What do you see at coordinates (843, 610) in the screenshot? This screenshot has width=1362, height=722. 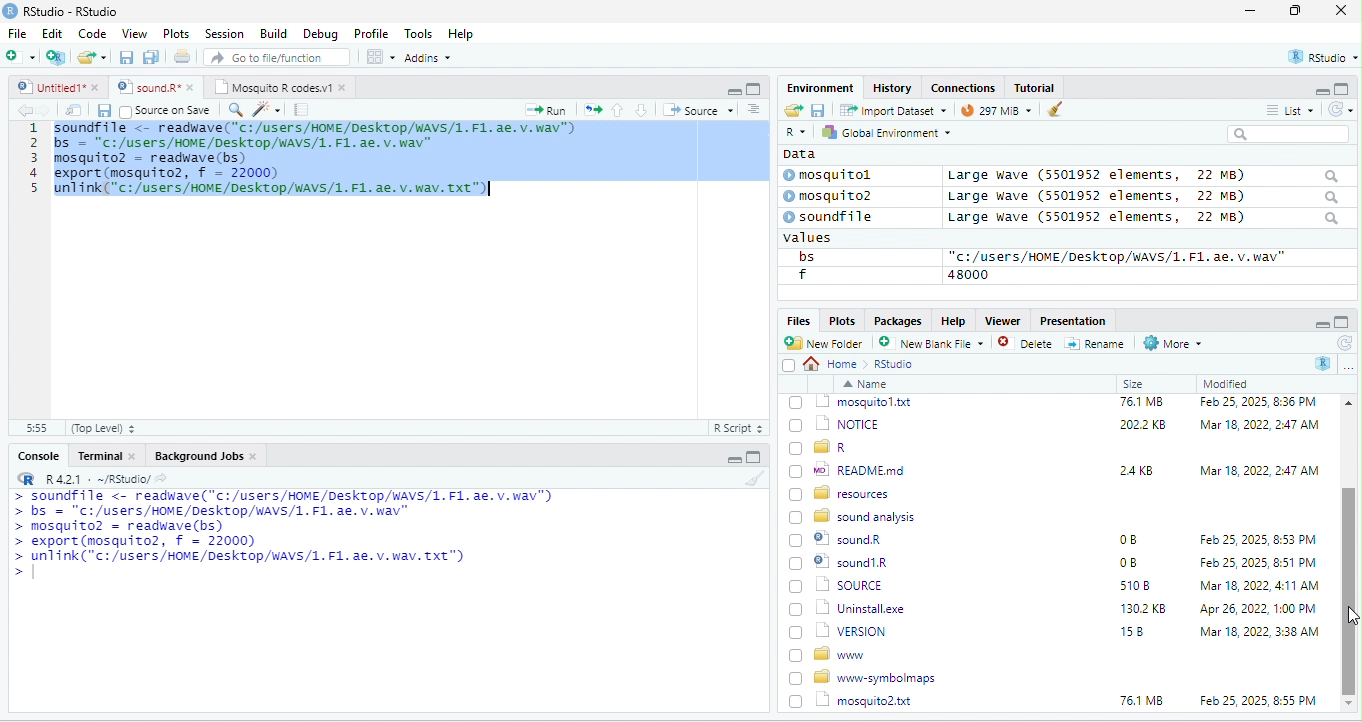 I see `BD resources` at bounding box center [843, 610].